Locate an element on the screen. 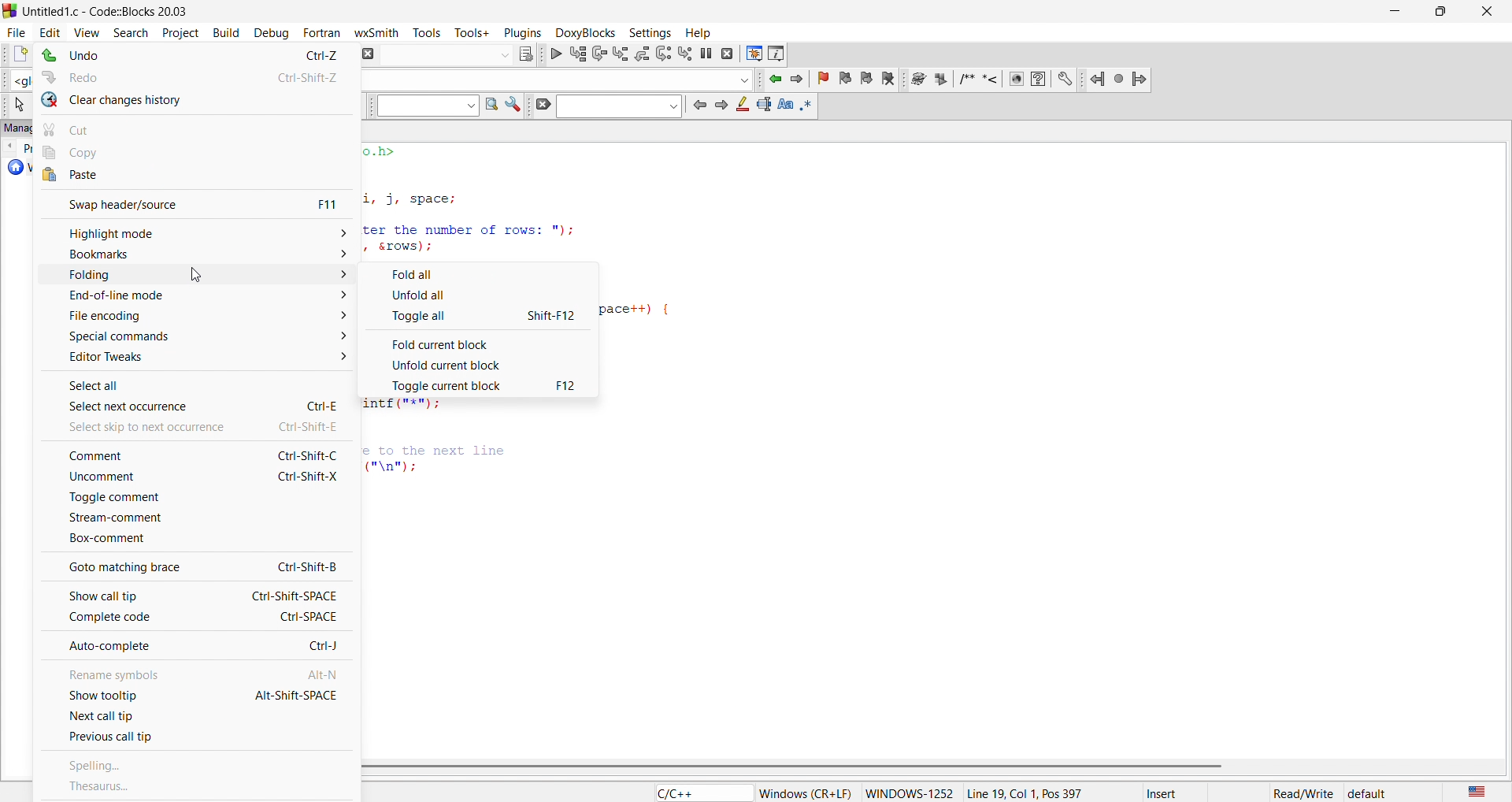  web is located at coordinates (1014, 79).